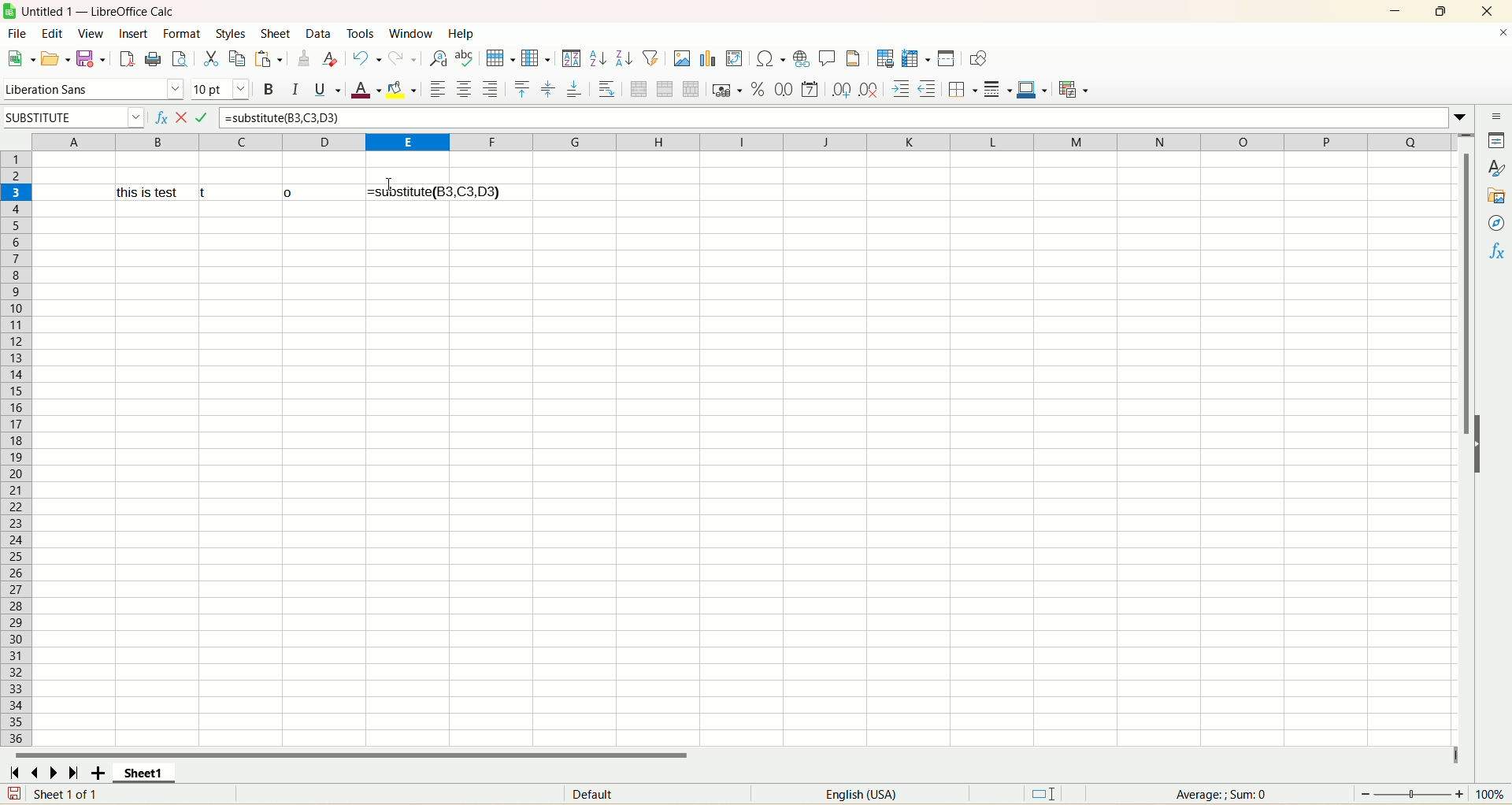  Describe the element at coordinates (759, 91) in the screenshot. I see `format as percent` at that location.